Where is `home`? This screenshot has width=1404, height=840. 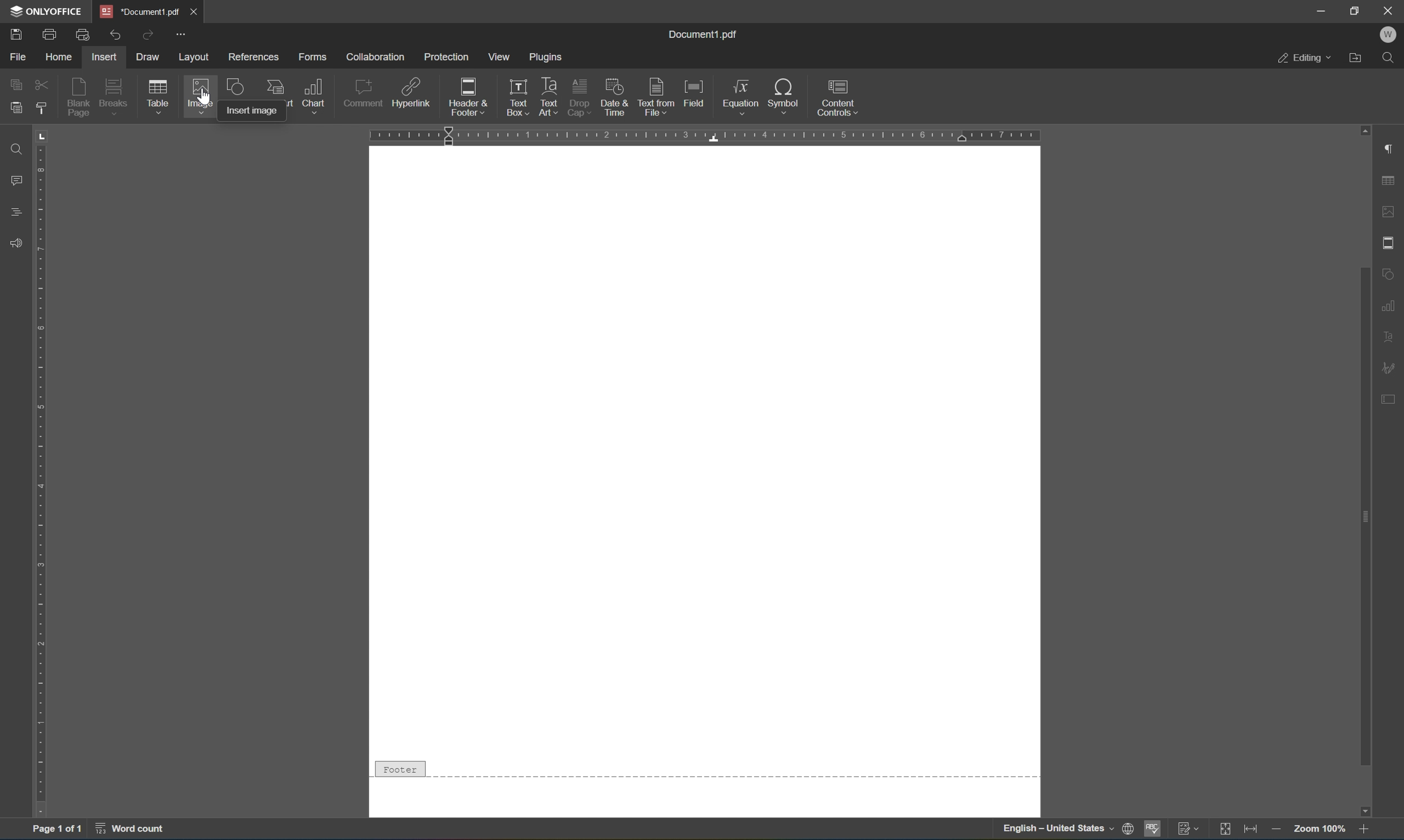
home is located at coordinates (56, 58).